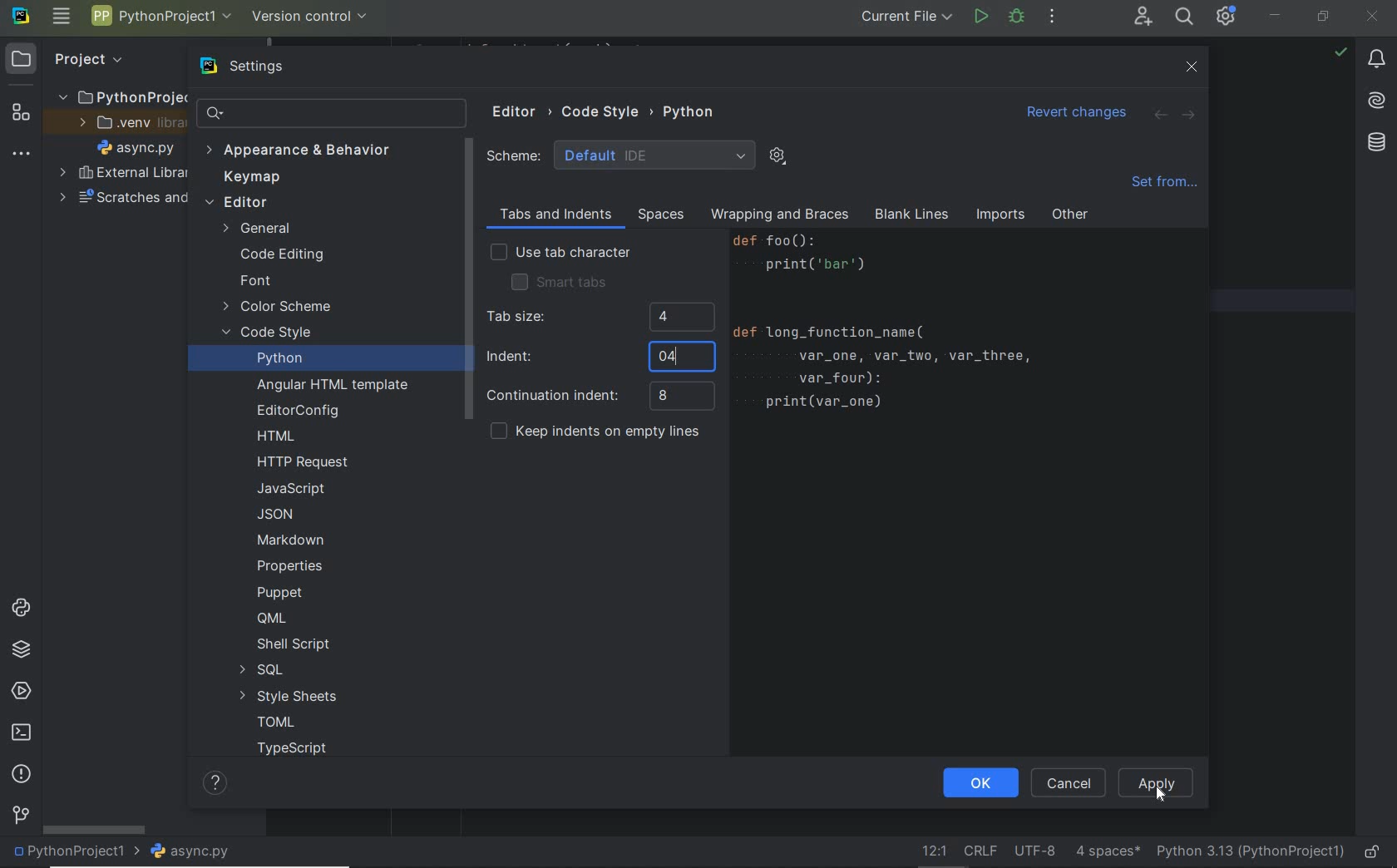  Describe the element at coordinates (1108, 850) in the screenshot. I see `indent` at that location.